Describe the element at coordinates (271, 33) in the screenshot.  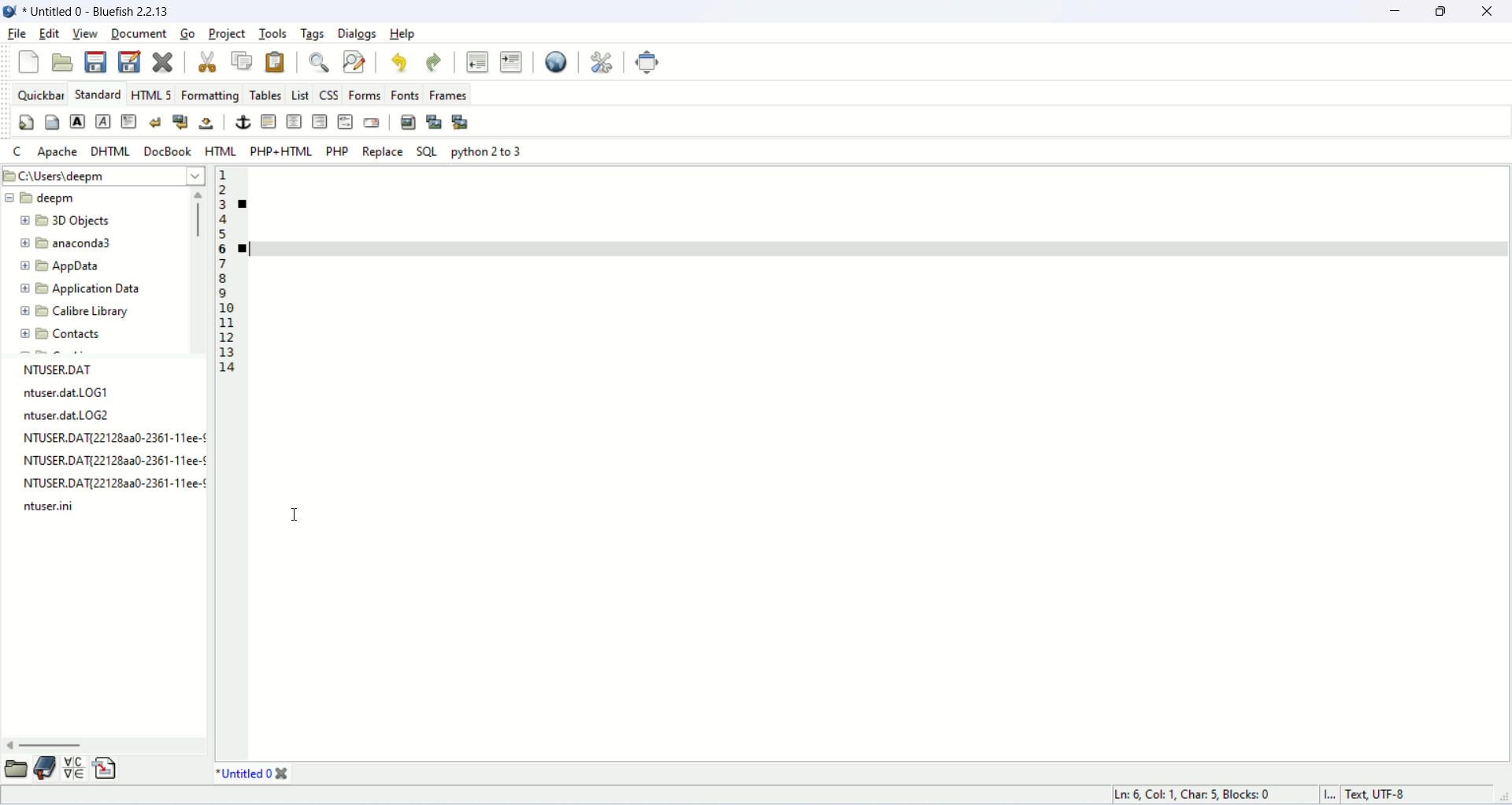
I see `tools` at that location.